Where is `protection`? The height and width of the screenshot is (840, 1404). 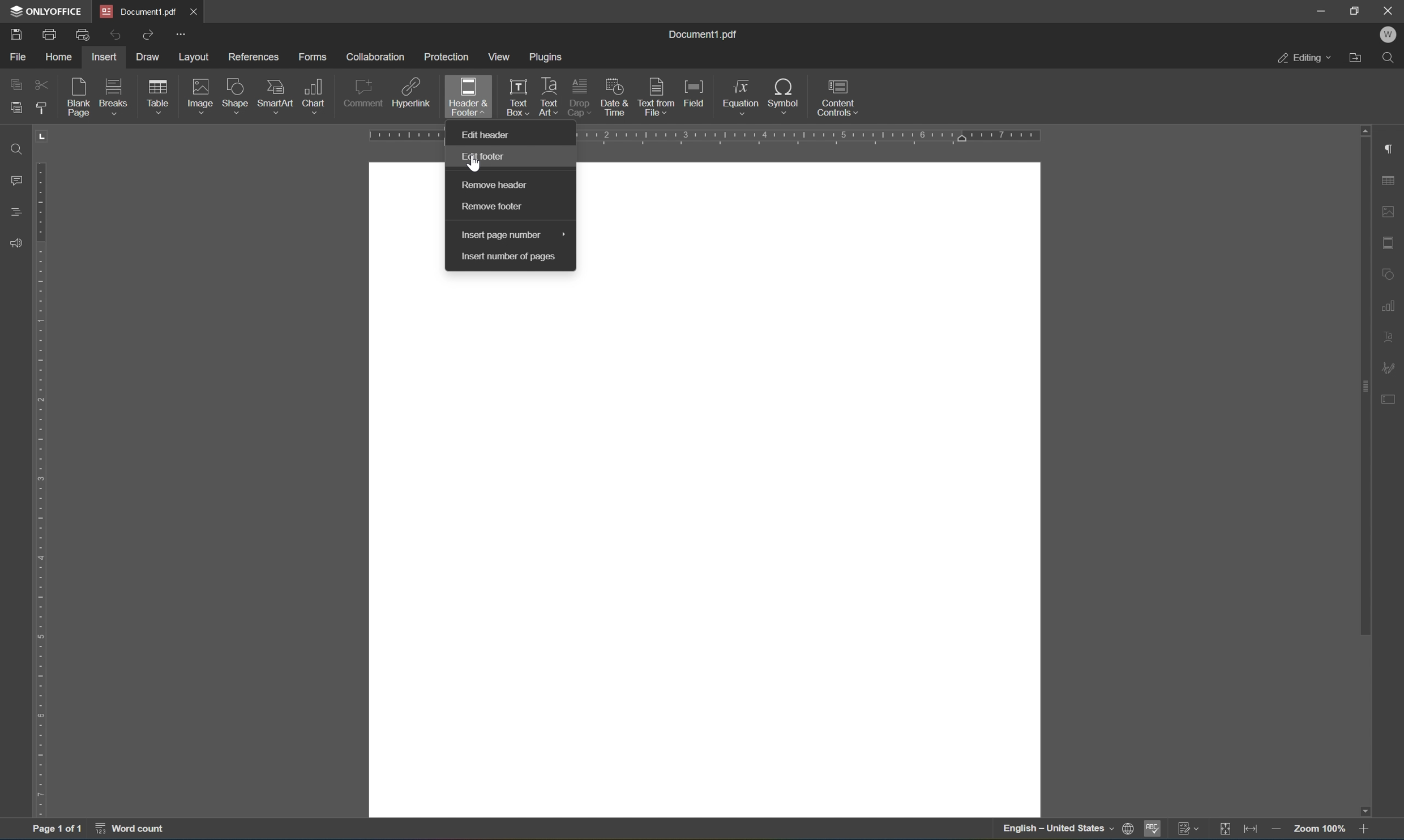 protection is located at coordinates (447, 58).